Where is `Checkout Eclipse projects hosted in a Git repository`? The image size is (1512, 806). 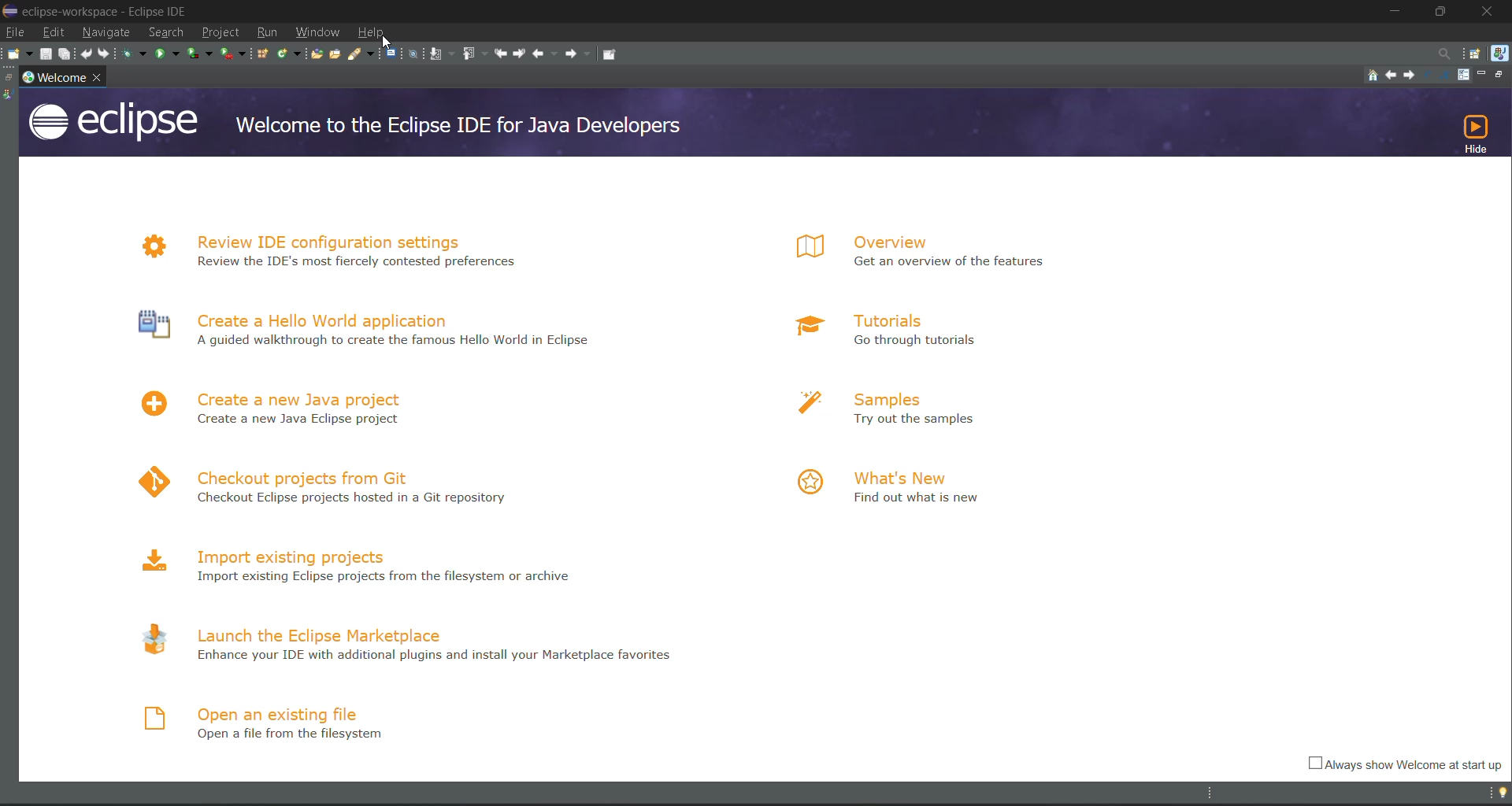 Checkout Eclipse projects hosted in a Git repository is located at coordinates (358, 502).